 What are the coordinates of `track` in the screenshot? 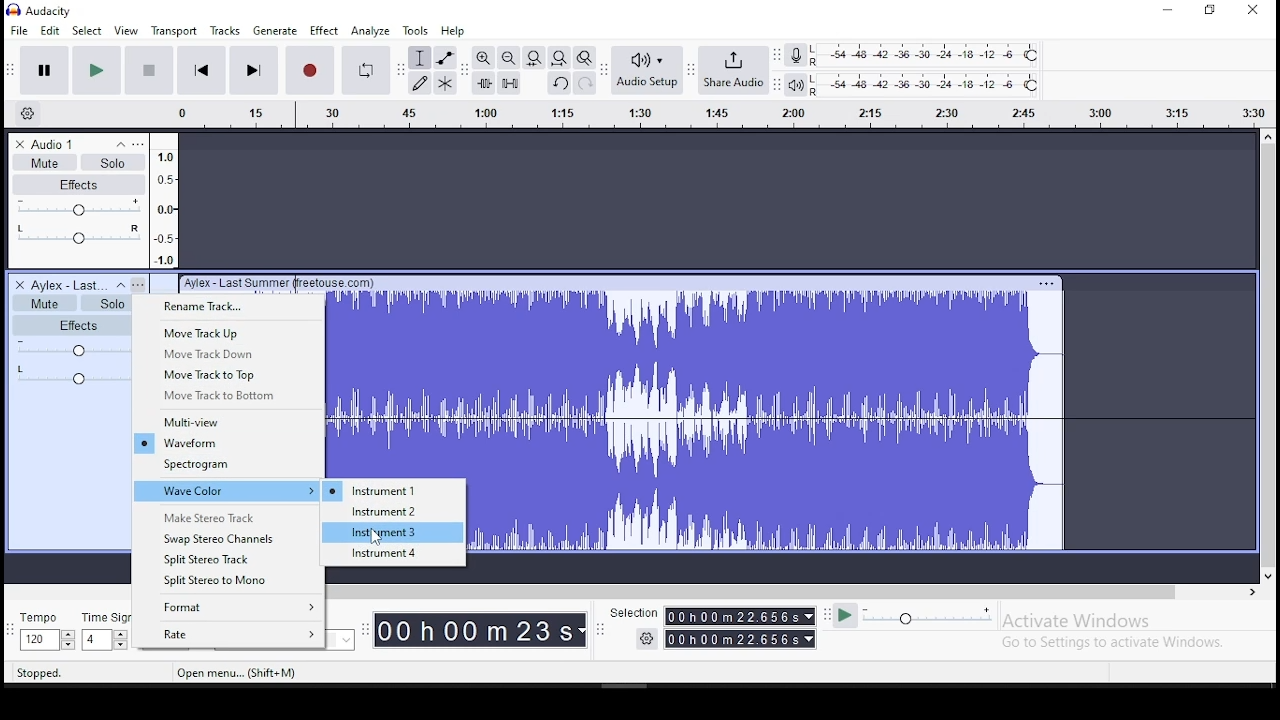 It's located at (863, 412).